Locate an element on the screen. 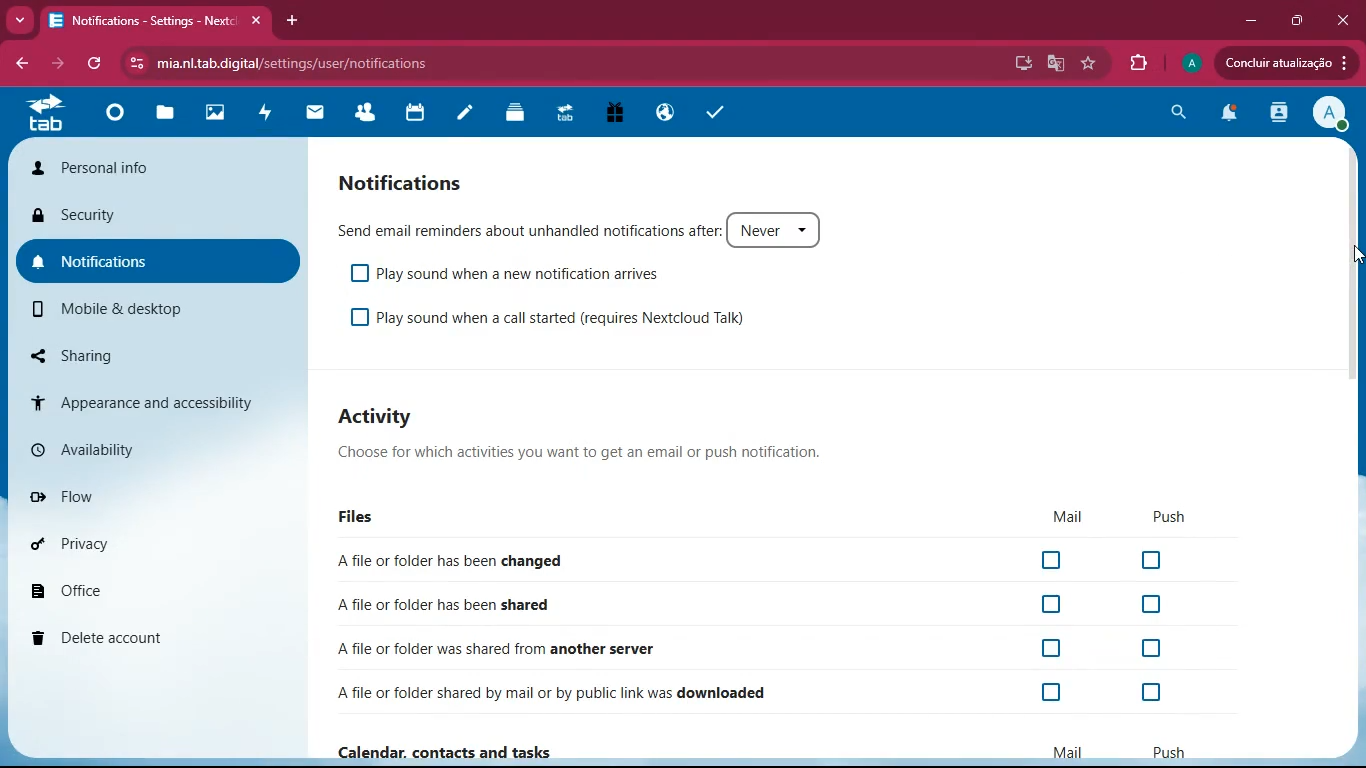  notifications is located at coordinates (152, 256).